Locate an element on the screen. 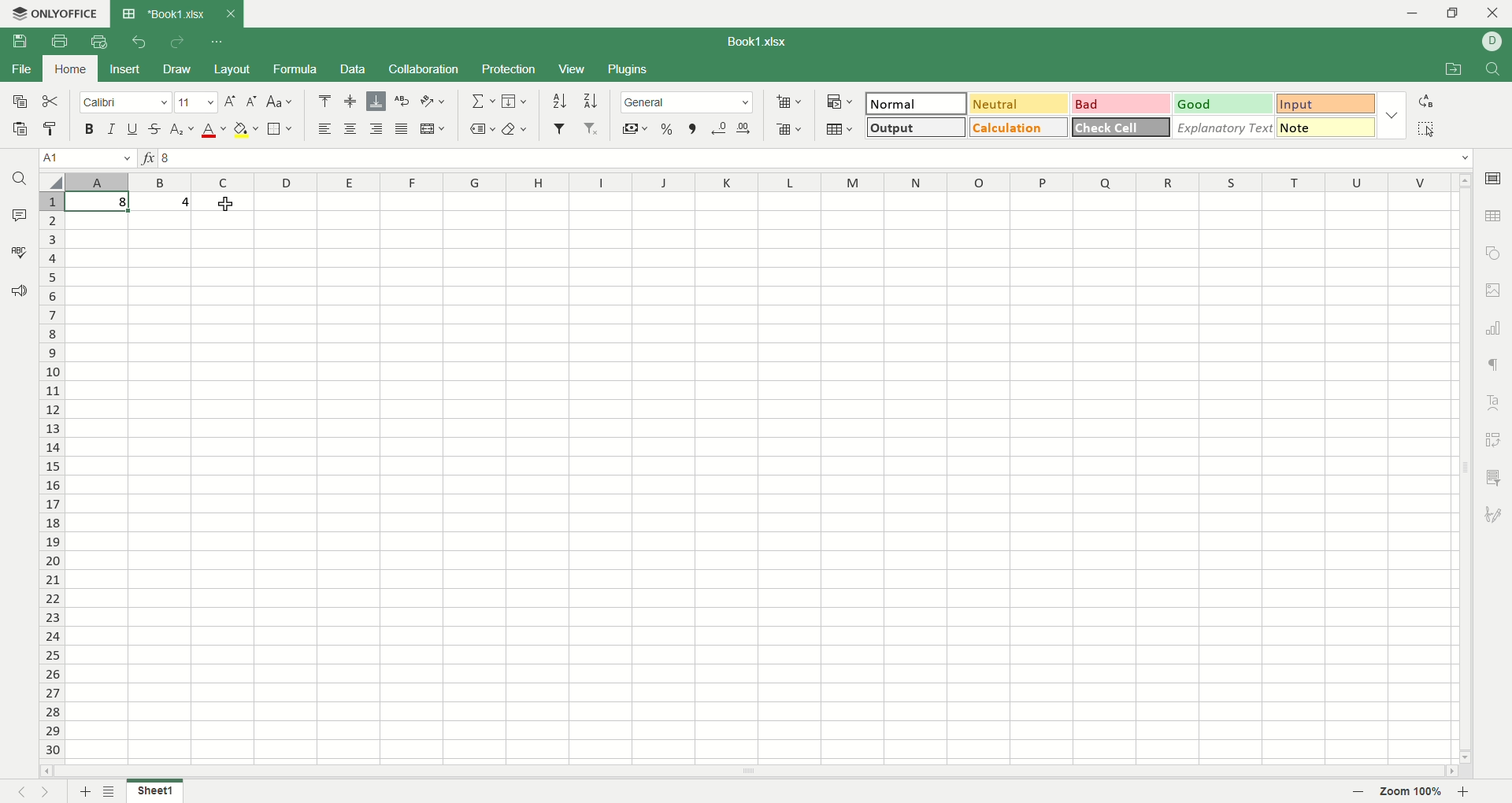 This screenshot has width=1512, height=803. chart settings is located at coordinates (1496, 328).